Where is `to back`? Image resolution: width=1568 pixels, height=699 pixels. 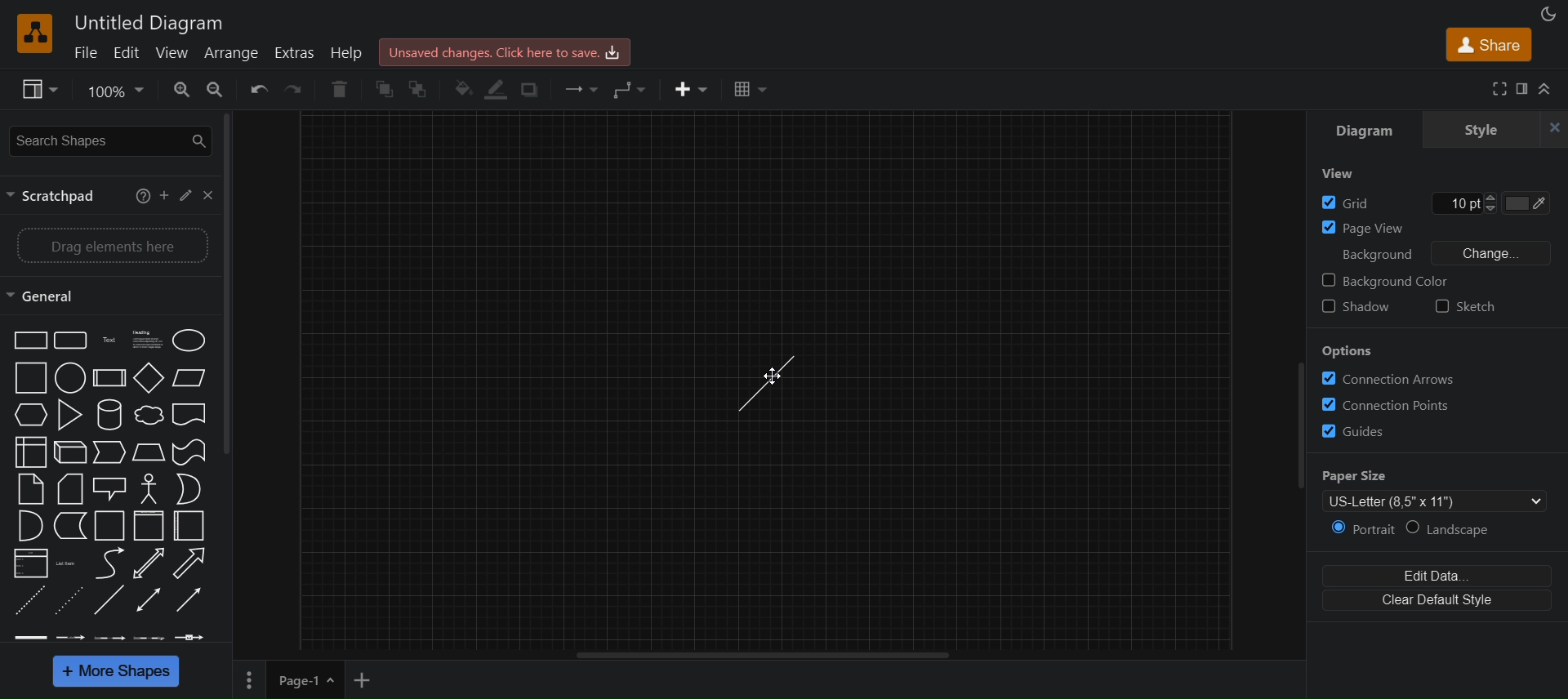 to back is located at coordinates (419, 89).